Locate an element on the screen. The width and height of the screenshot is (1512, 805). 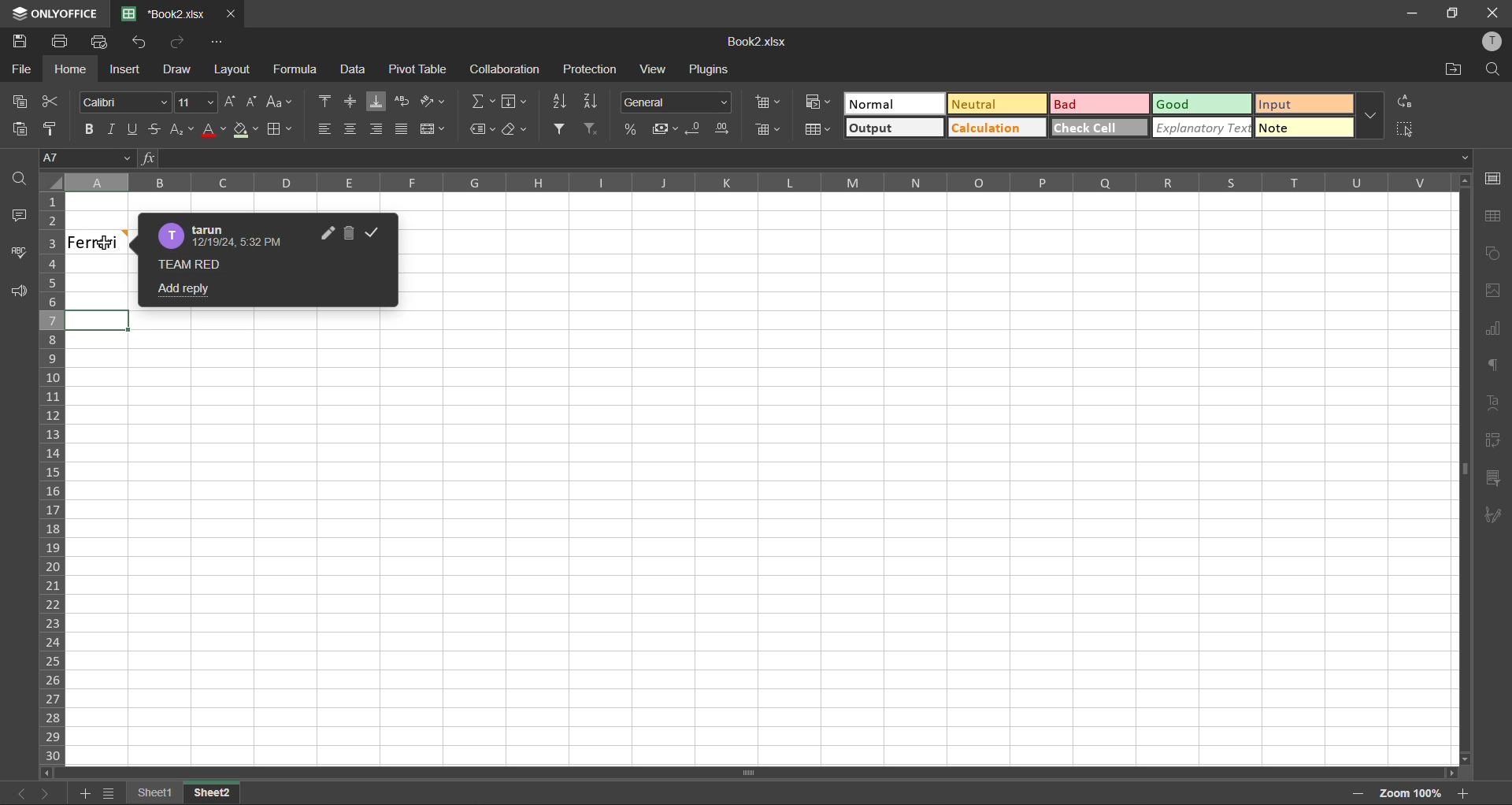
change case is located at coordinates (279, 103).